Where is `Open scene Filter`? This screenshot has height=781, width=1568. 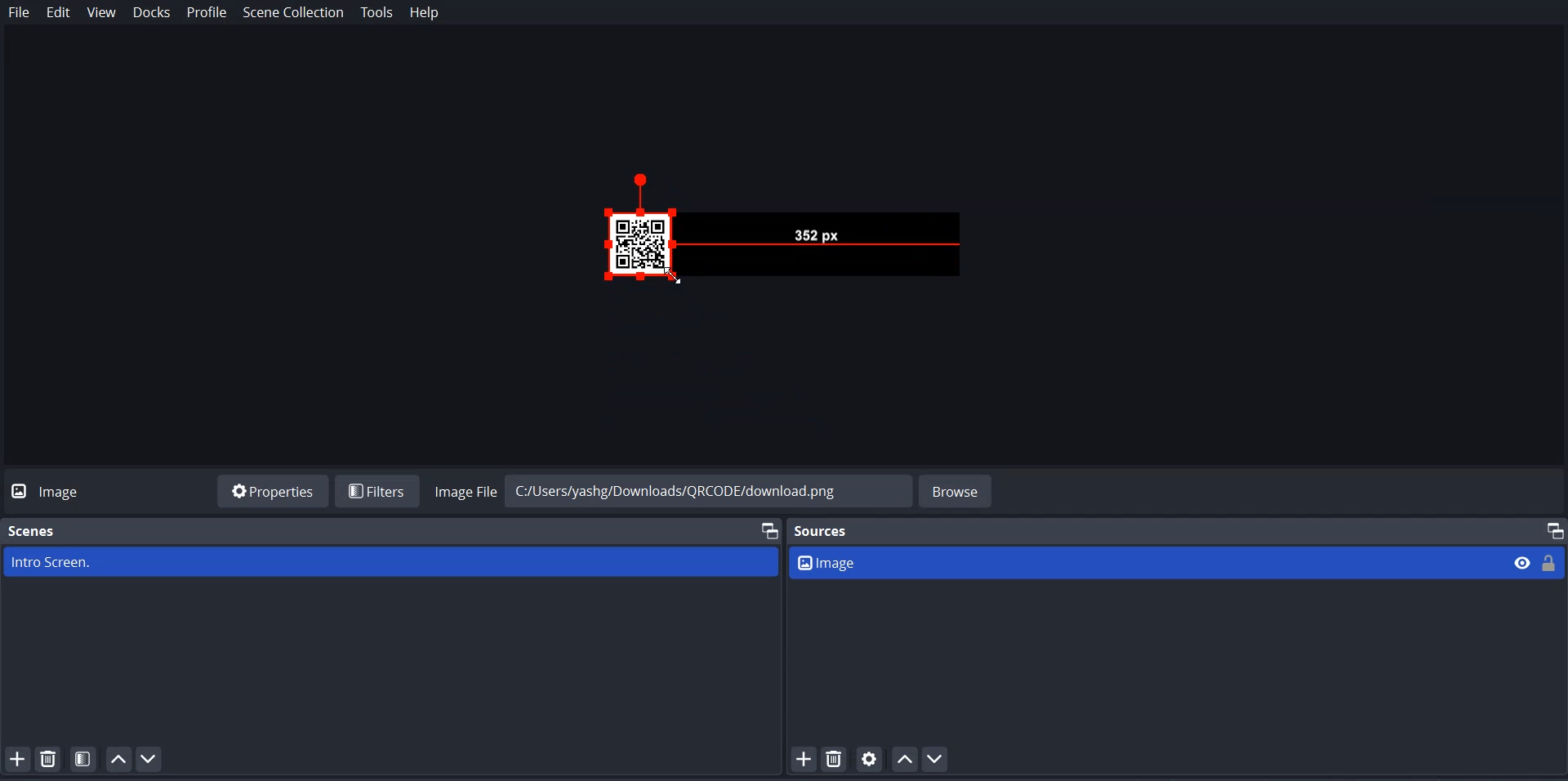 Open scene Filter is located at coordinates (84, 759).